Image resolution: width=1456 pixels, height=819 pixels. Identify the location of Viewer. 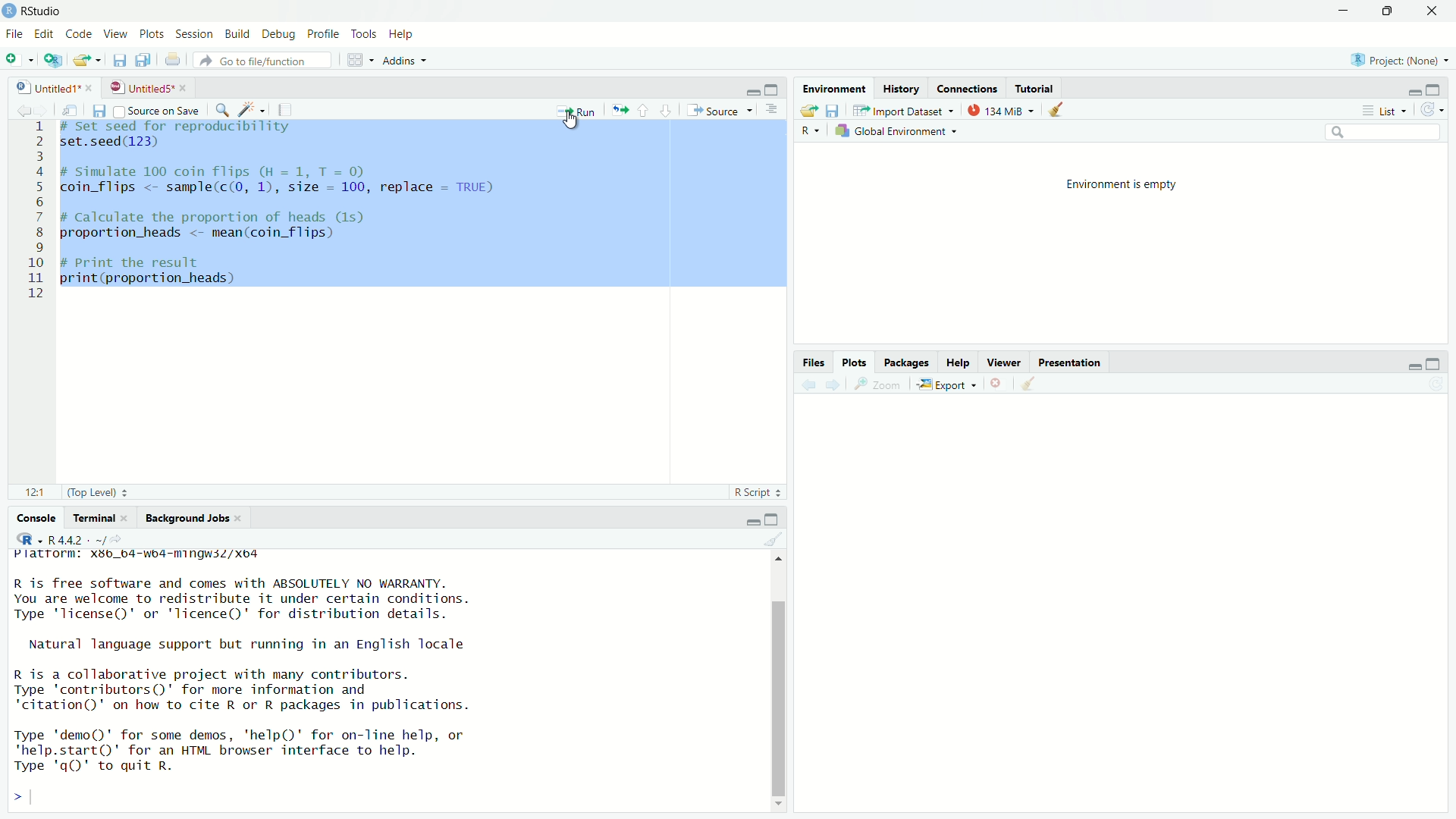
(1006, 362).